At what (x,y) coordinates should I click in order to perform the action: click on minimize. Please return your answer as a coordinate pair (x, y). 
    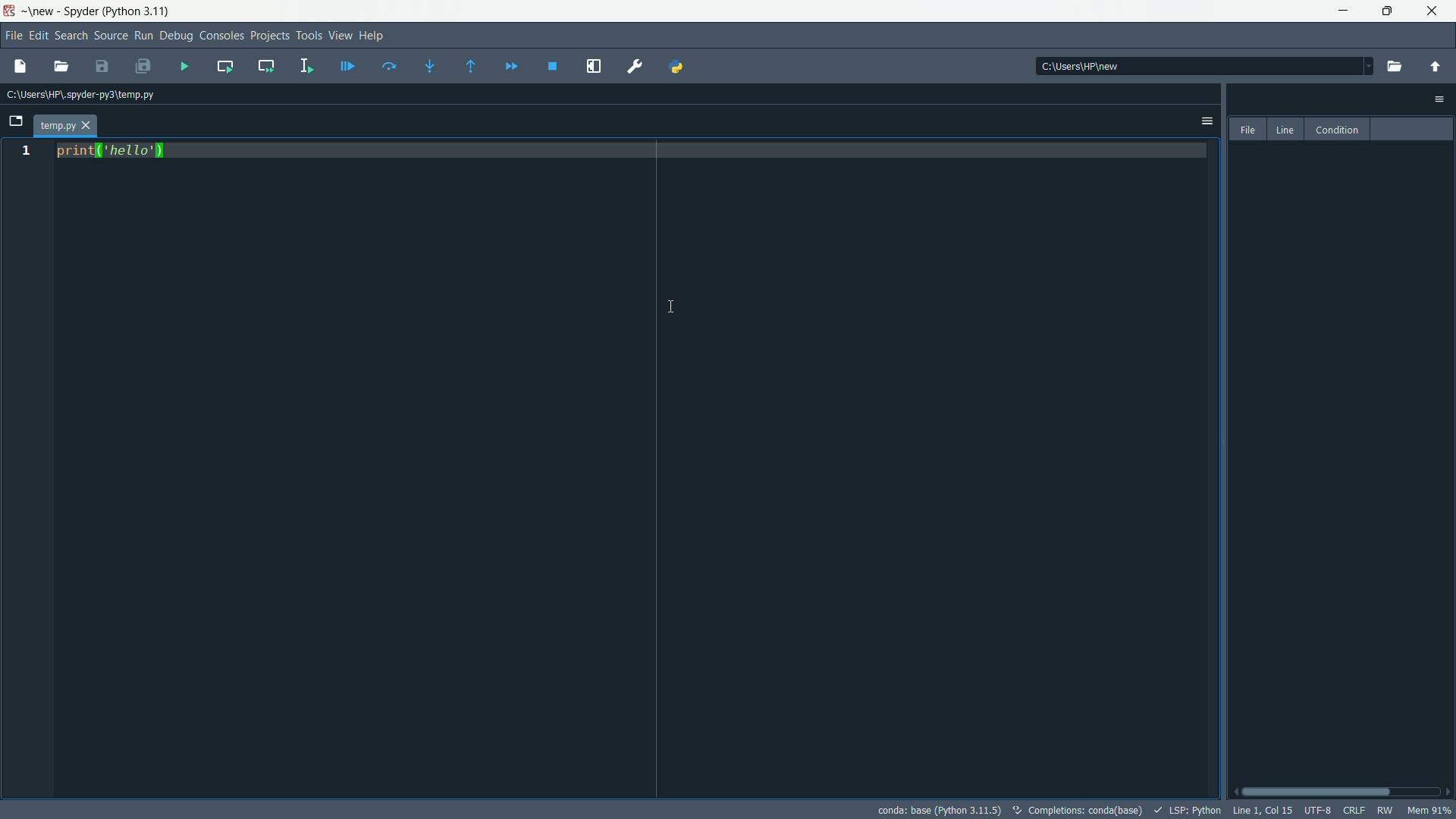
    Looking at the image, I should click on (1347, 11).